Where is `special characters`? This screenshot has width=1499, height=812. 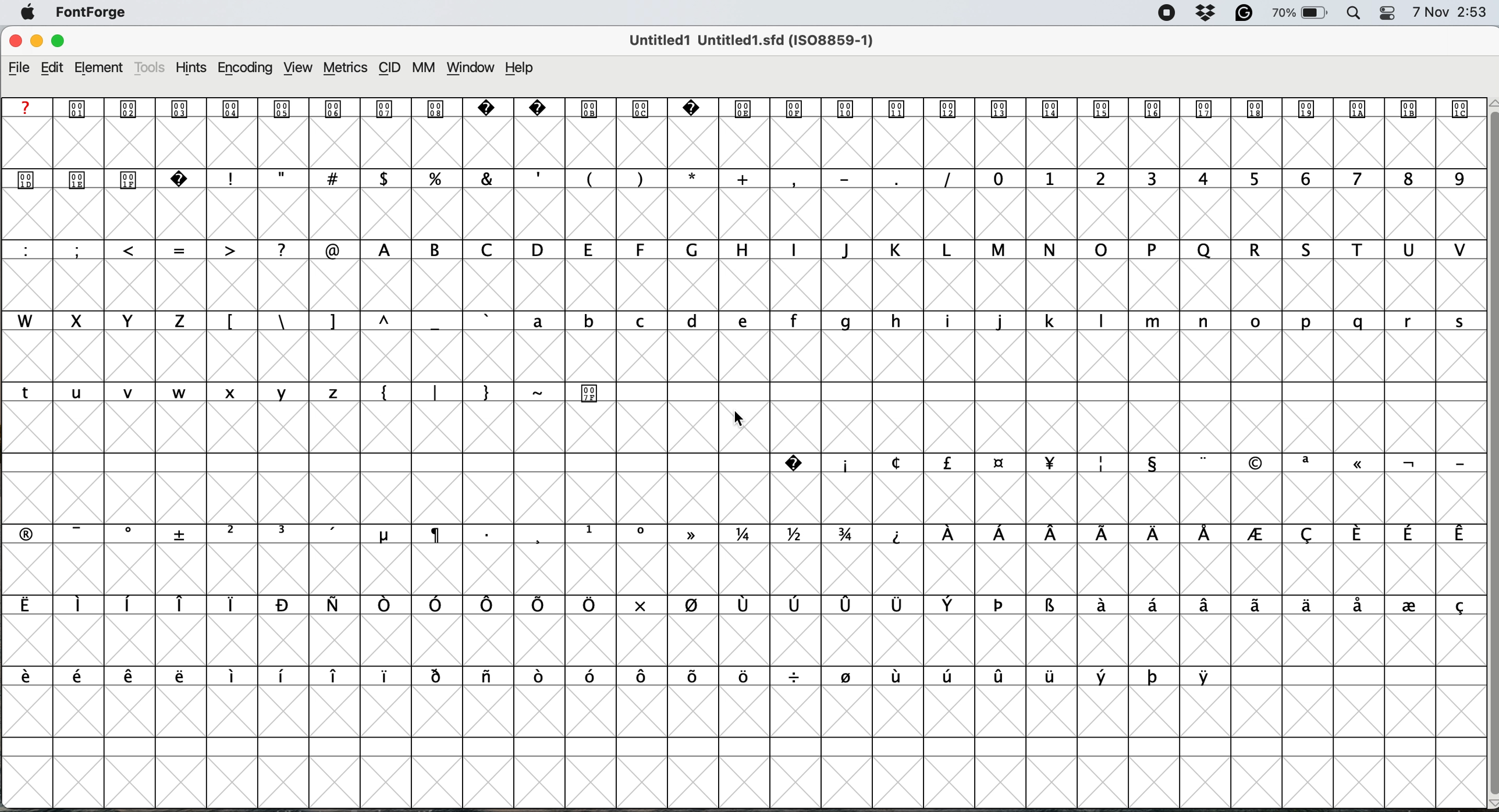
special characters is located at coordinates (469, 391).